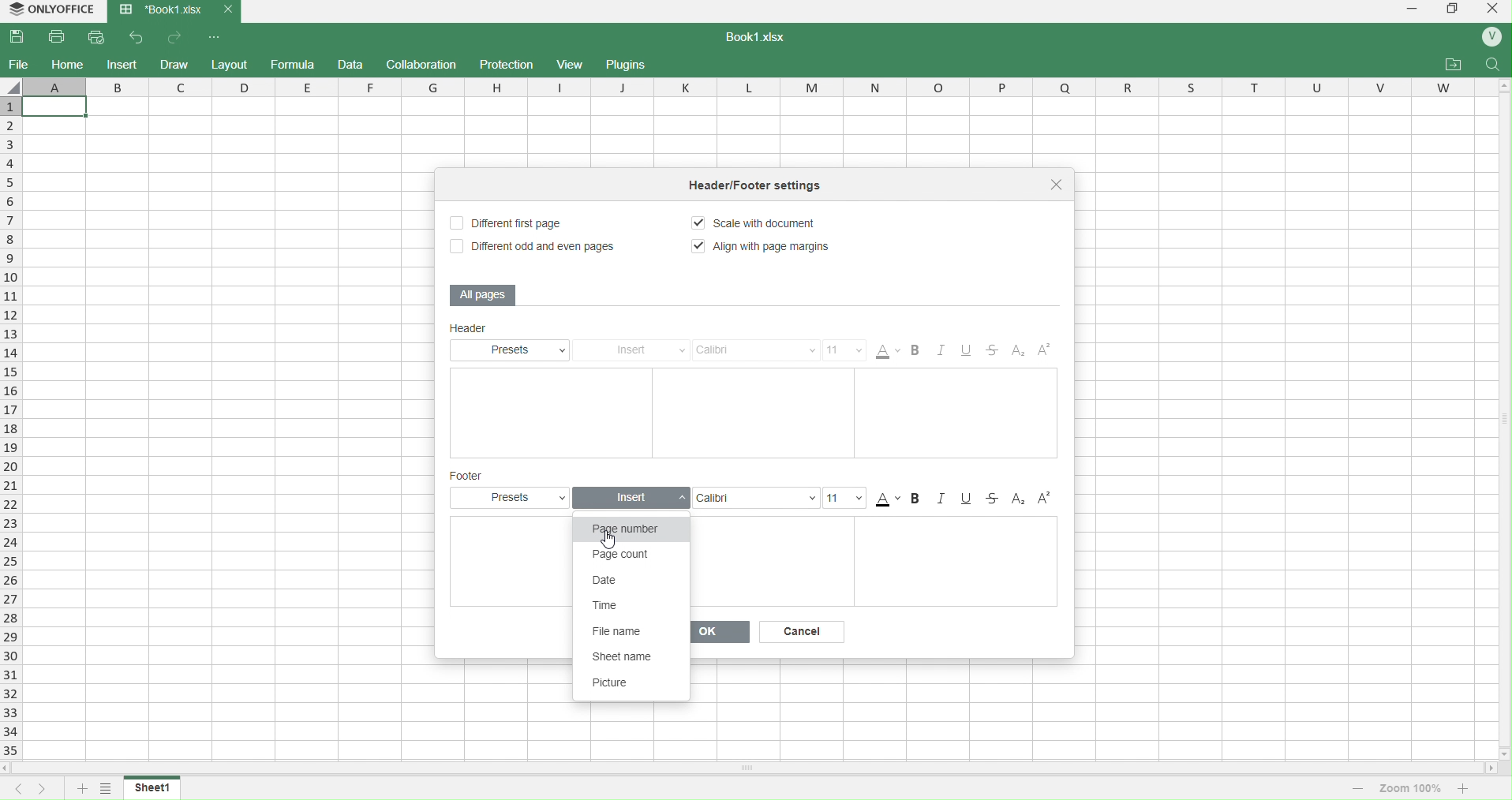 Image resolution: width=1512 pixels, height=800 pixels. What do you see at coordinates (631, 528) in the screenshot?
I see `Page number` at bounding box center [631, 528].